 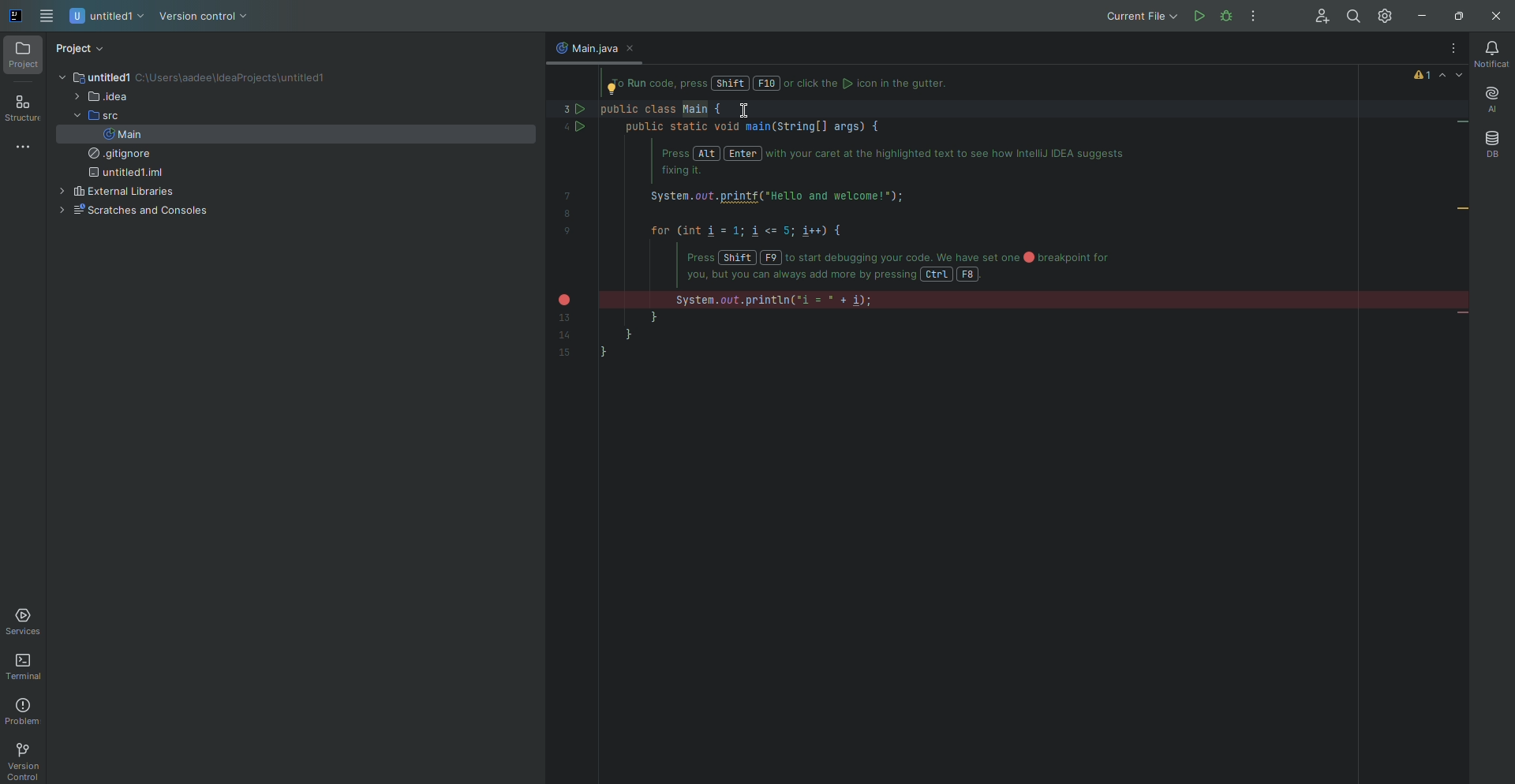 What do you see at coordinates (24, 56) in the screenshot?
I see `Project` at bounding box center [24, 56].